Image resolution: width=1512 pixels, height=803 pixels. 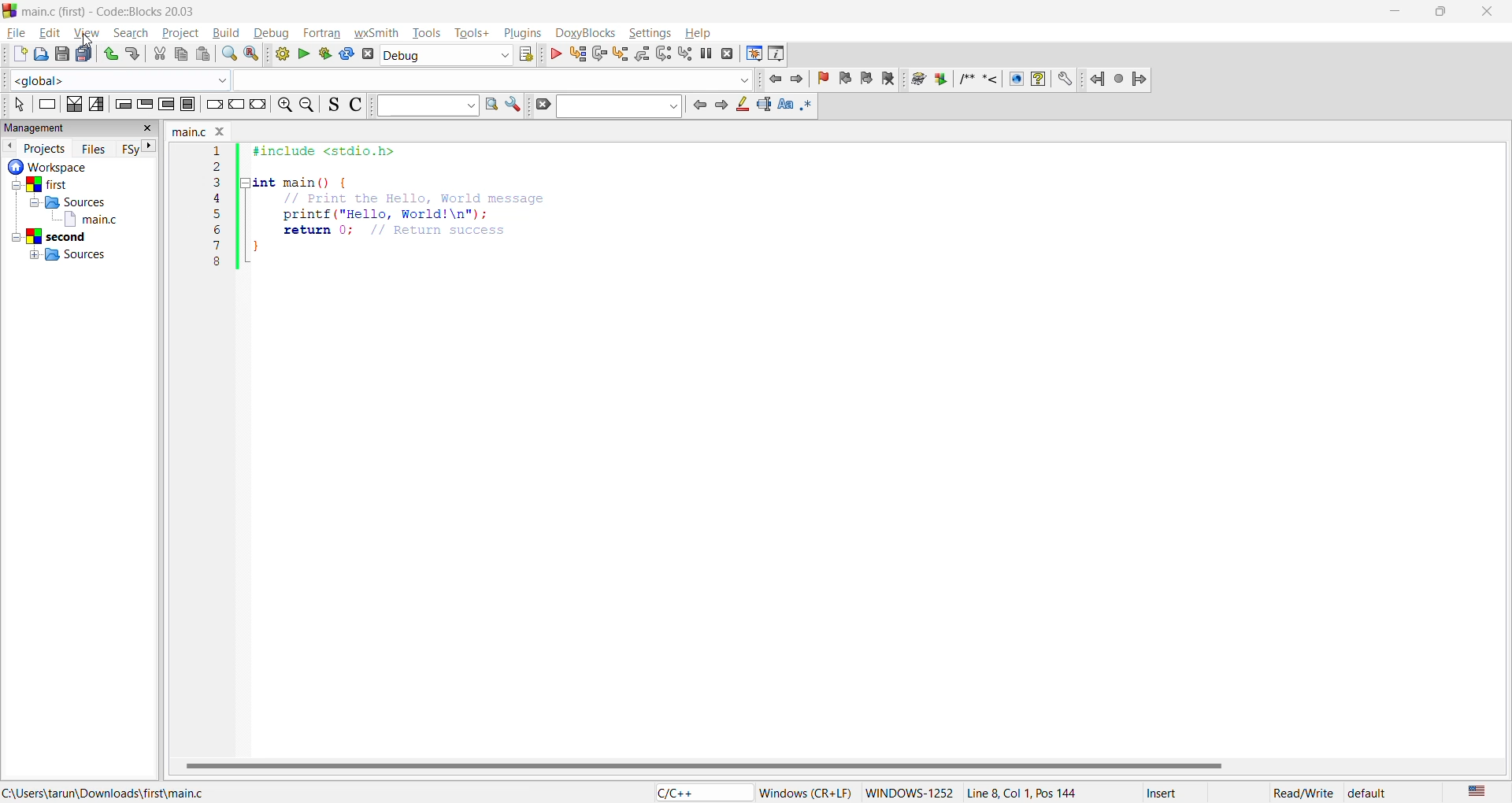 I want to click on find, so click(x=229, y=53).